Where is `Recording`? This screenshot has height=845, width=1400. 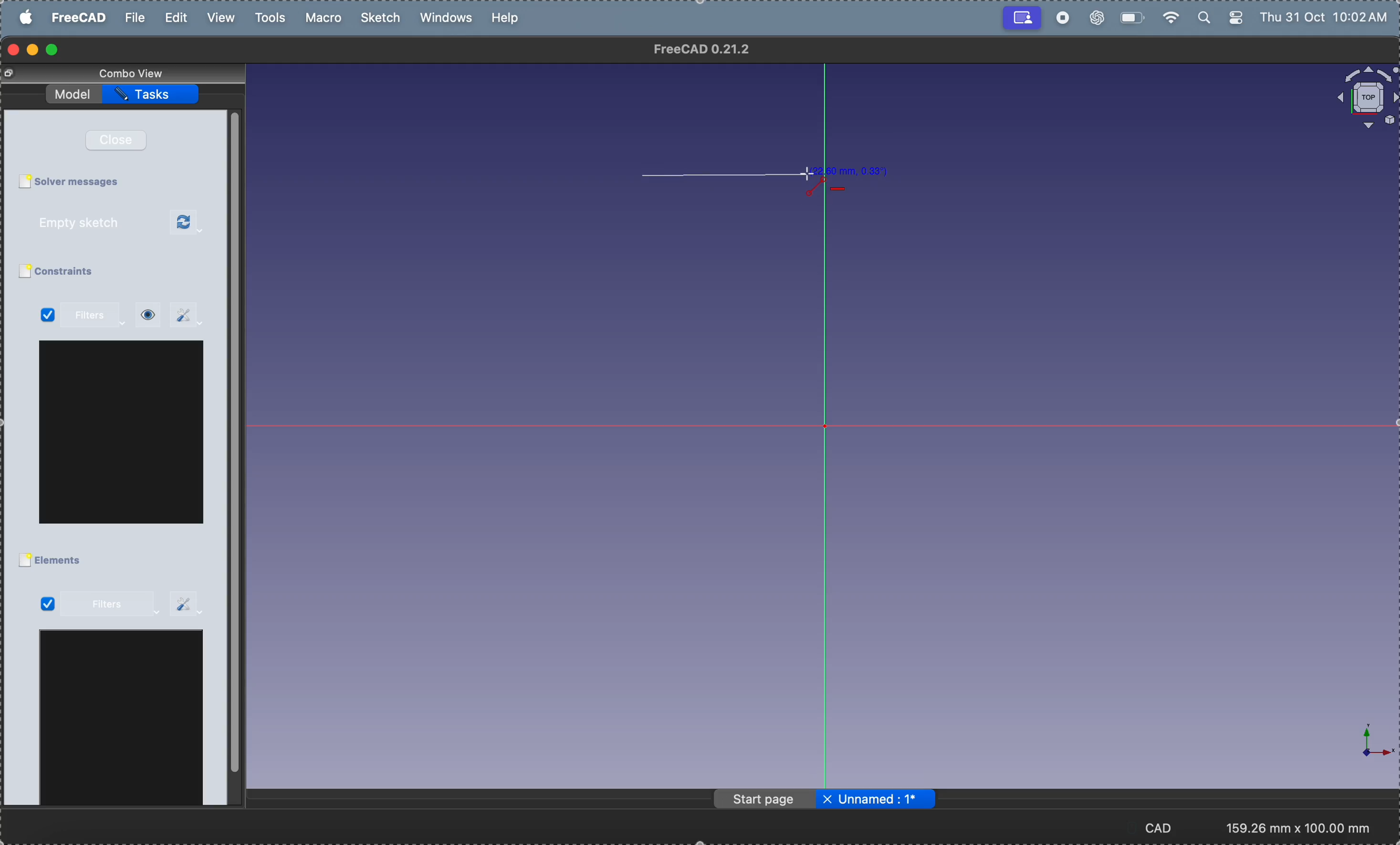 Recording is located at coordinates (1022, 16).